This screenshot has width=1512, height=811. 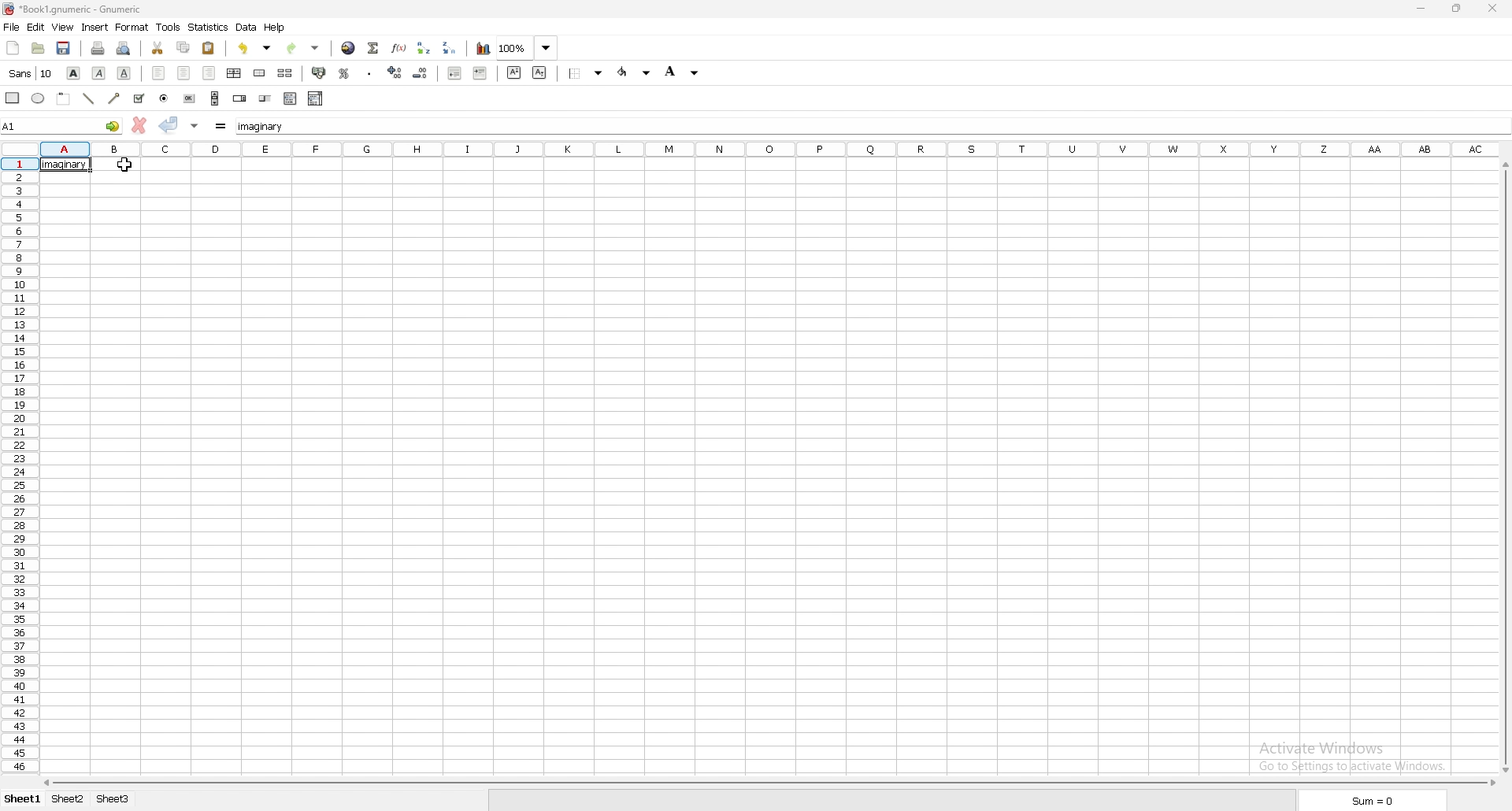 What do you see at coordinates (584, 73) in the screenshot?
I see `border` at bounding box center [584, 73].